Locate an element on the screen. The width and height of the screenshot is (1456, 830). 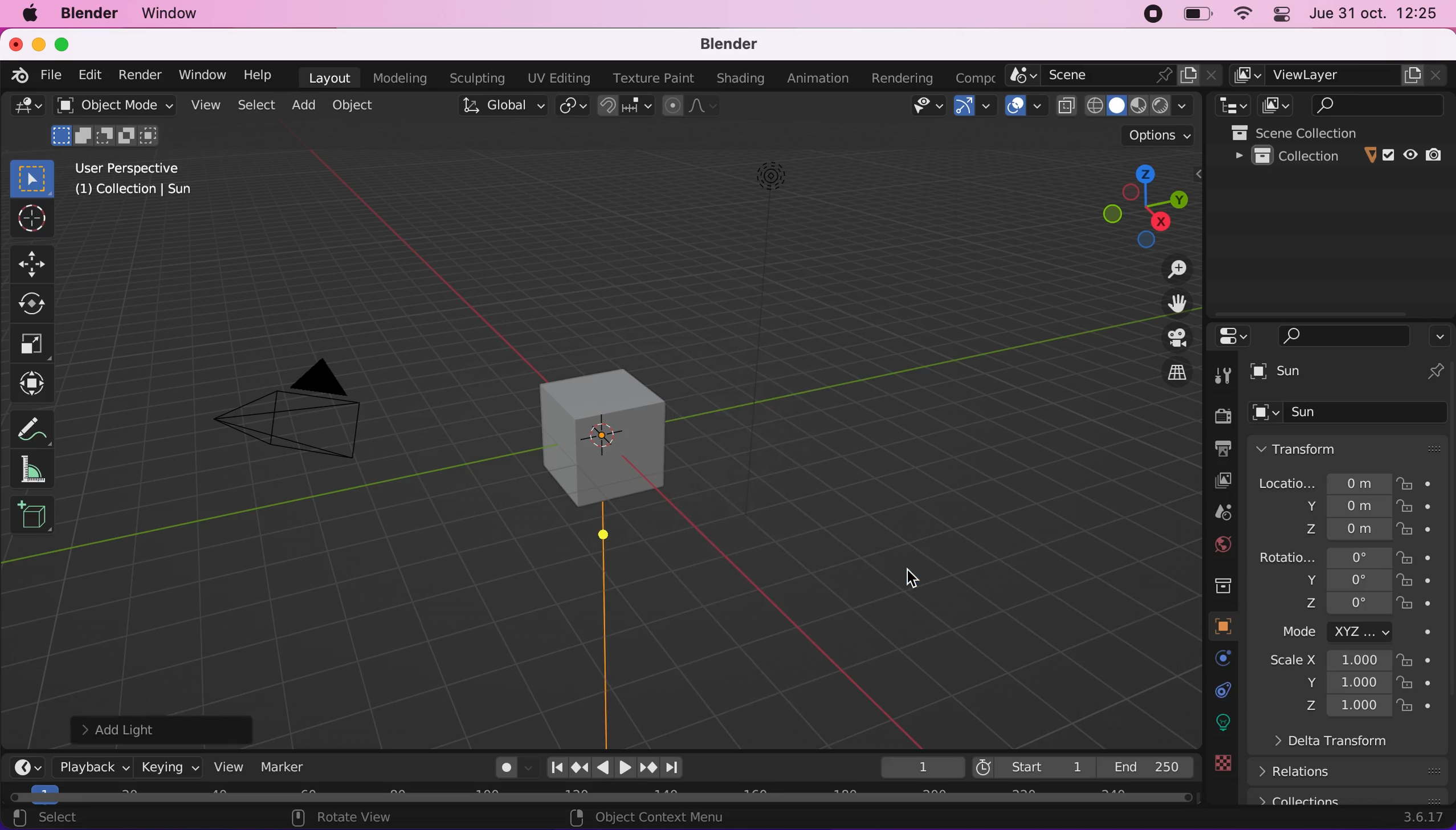
collections is located at coordinates (1217, 583).